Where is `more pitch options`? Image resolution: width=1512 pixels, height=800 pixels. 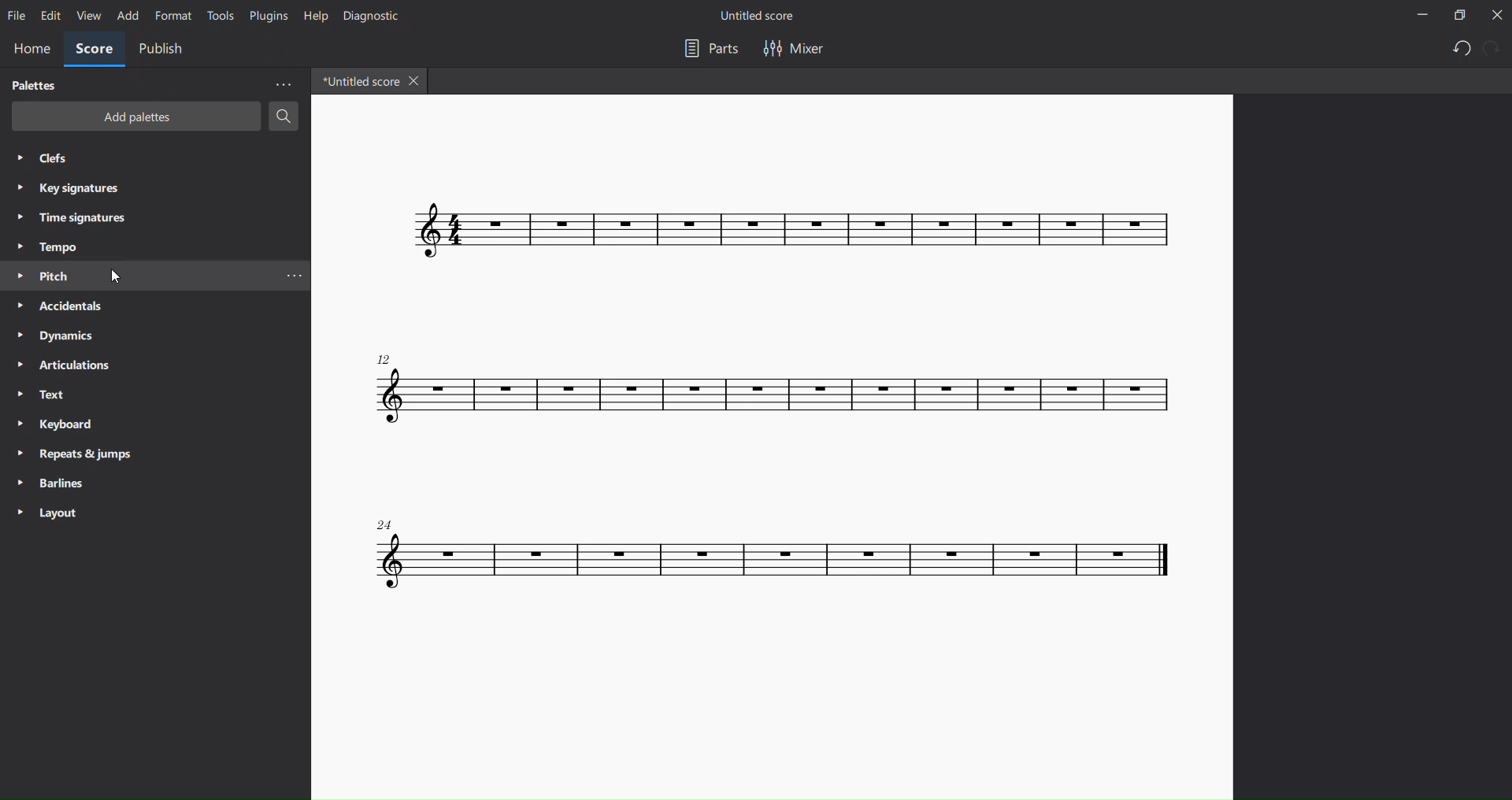
more pitch options is located at coordinates (295, 276).